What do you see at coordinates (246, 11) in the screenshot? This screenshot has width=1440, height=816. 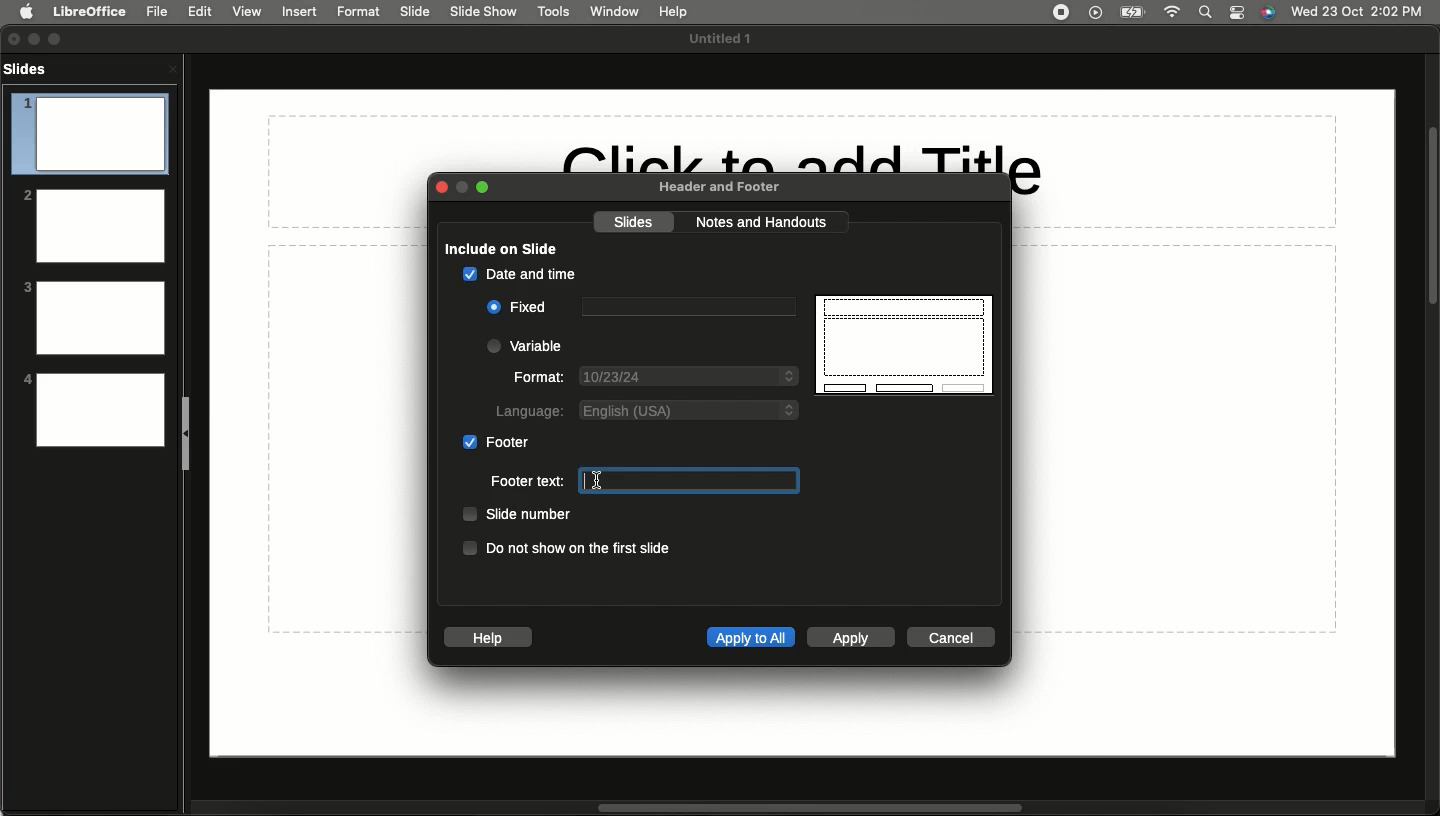 I see `View` at bounding box center [246, 11].